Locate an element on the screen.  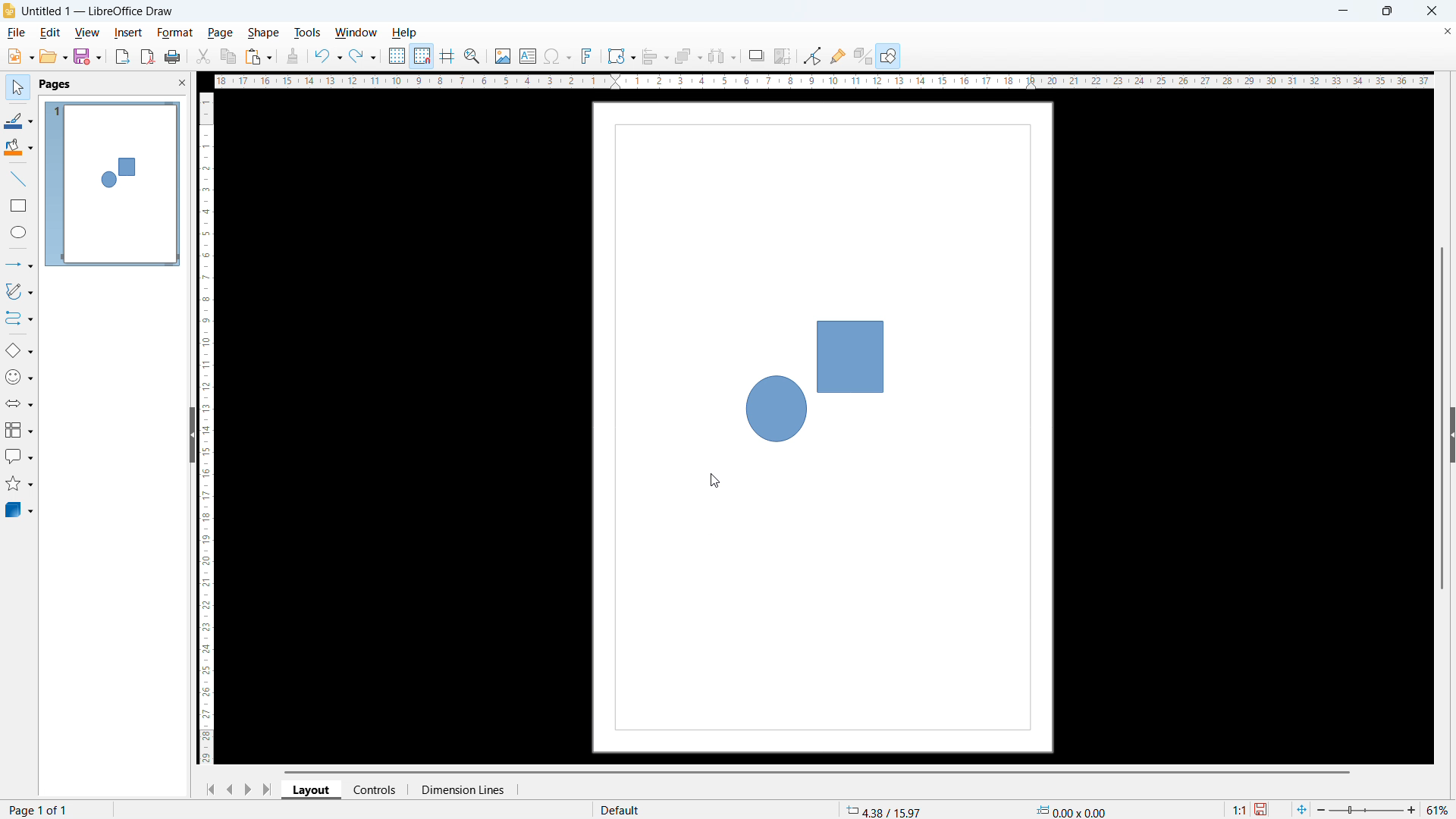
show gluepoint function is located at coordinates (839, 55).